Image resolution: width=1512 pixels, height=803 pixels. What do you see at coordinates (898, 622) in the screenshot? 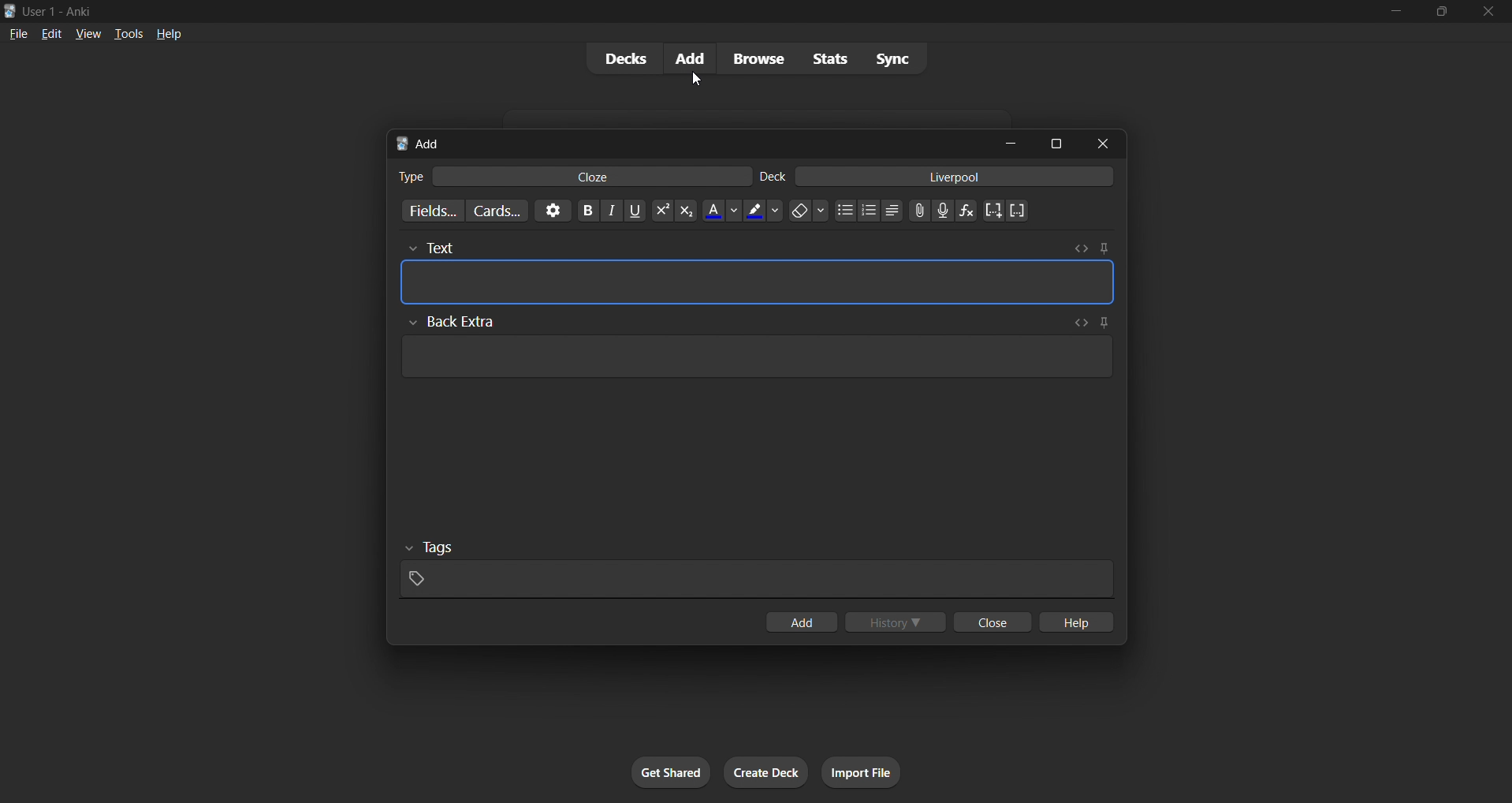
I see `history` at bounding box center [898, 622].